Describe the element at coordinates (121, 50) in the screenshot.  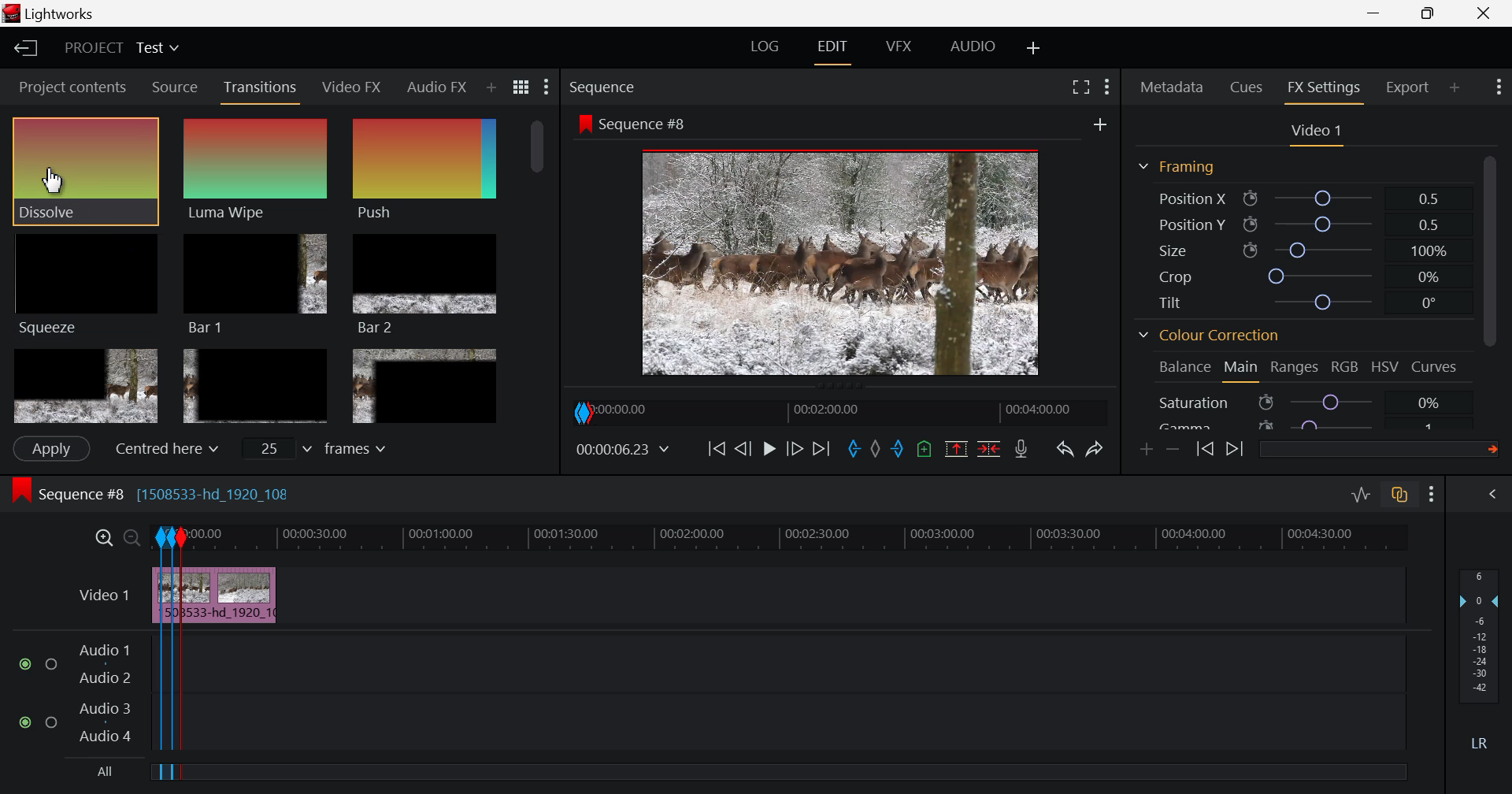
I see `Project Title` at that location.